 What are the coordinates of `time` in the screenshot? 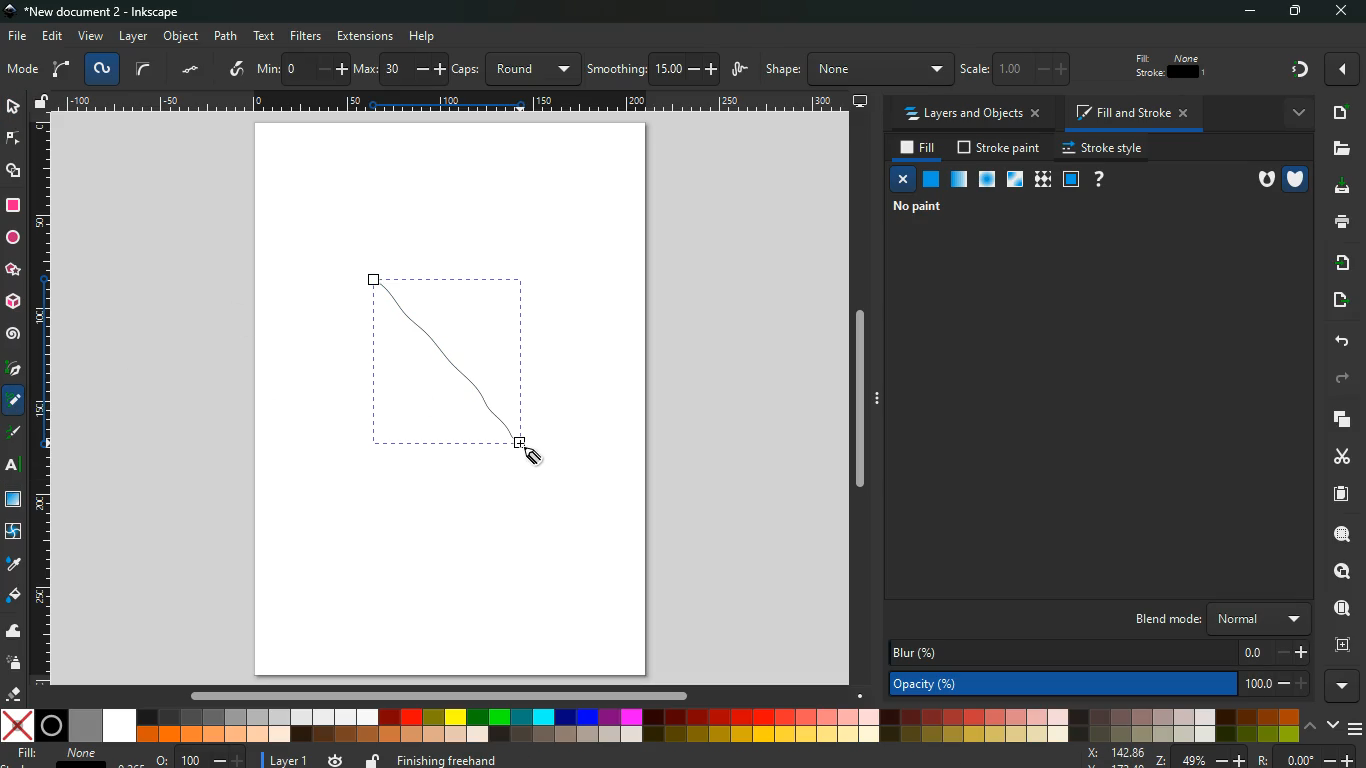 It's located at (337, 760).